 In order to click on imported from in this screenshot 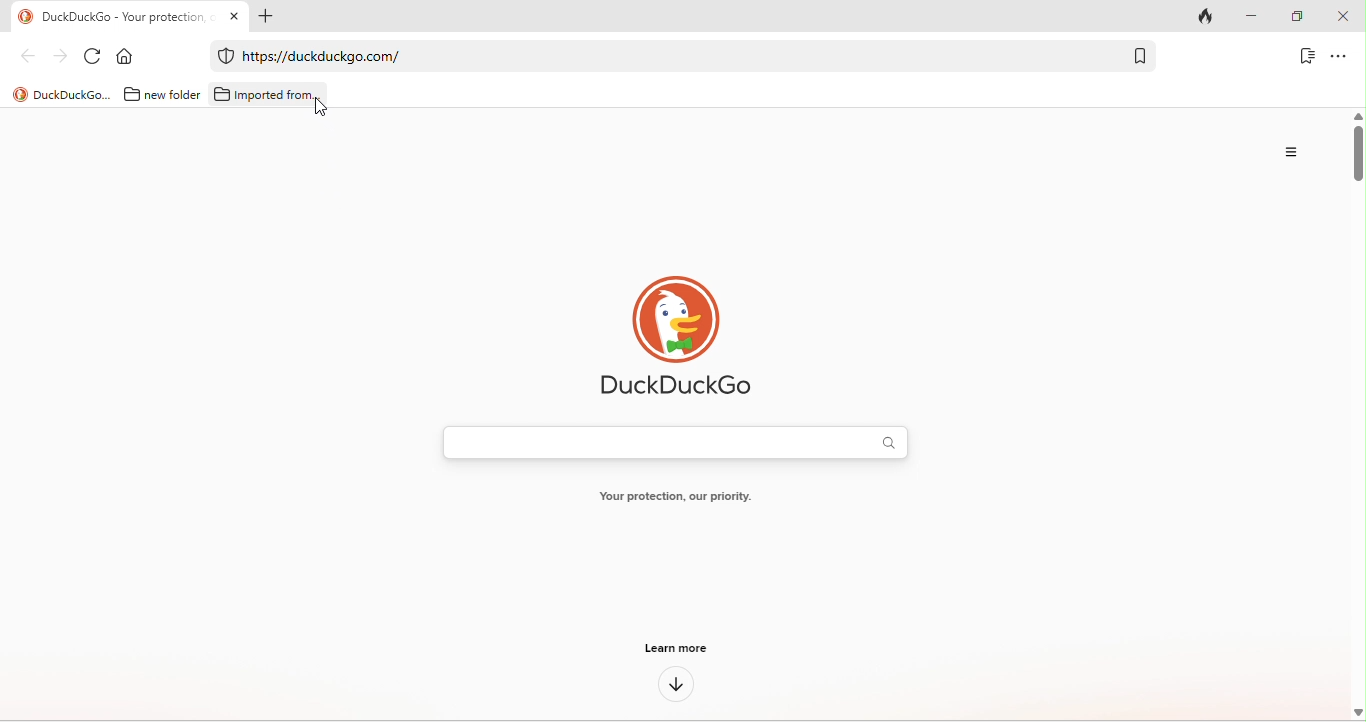, I will do `click(267, 91)`.